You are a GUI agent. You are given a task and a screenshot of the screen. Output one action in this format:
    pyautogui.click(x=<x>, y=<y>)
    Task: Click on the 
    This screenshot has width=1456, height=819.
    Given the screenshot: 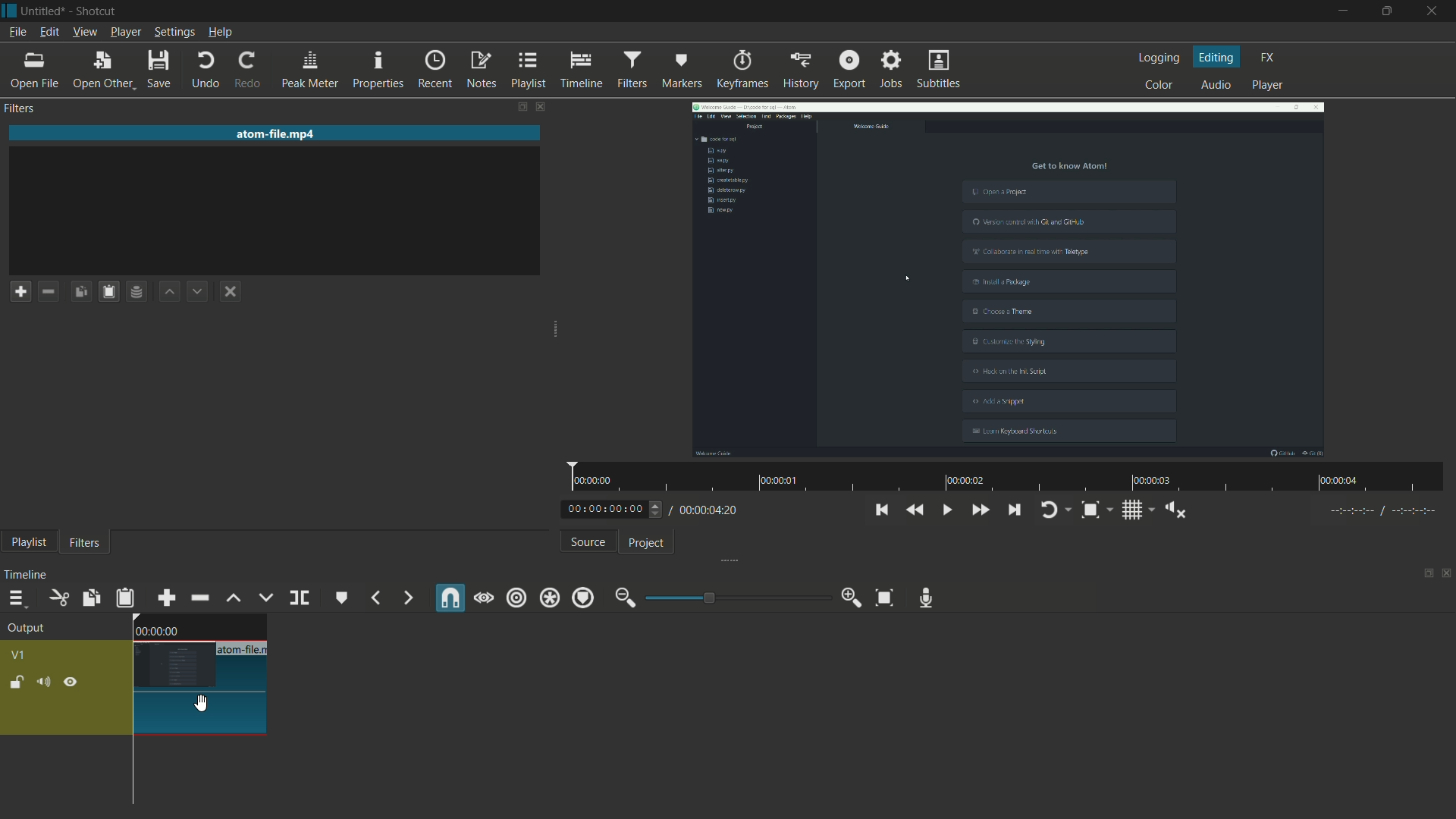 What is the action you would take?
    pyautogui.click(x=197, y=482)
    